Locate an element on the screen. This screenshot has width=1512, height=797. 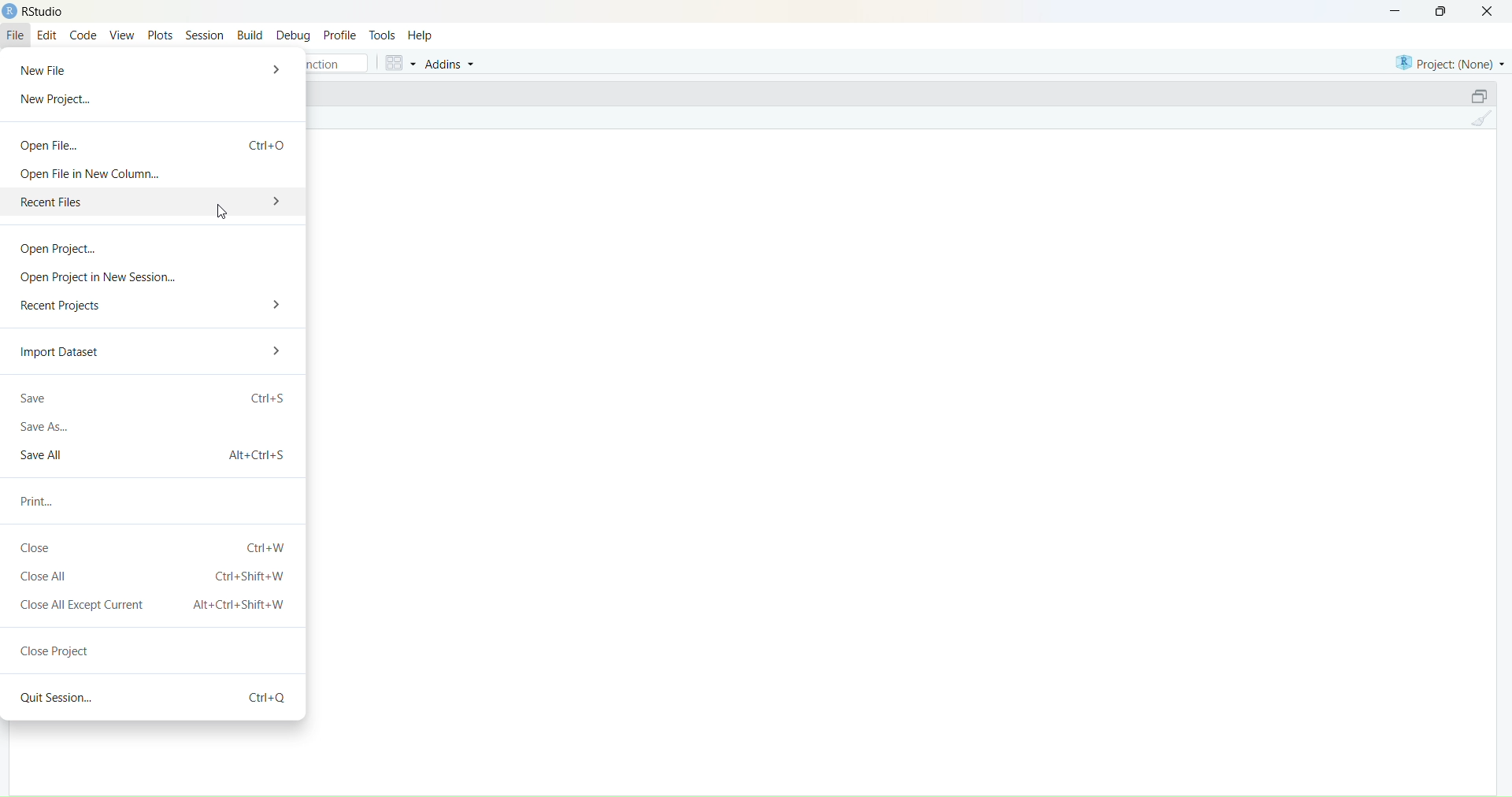
Maximize is located at coordinates (1444, 11).